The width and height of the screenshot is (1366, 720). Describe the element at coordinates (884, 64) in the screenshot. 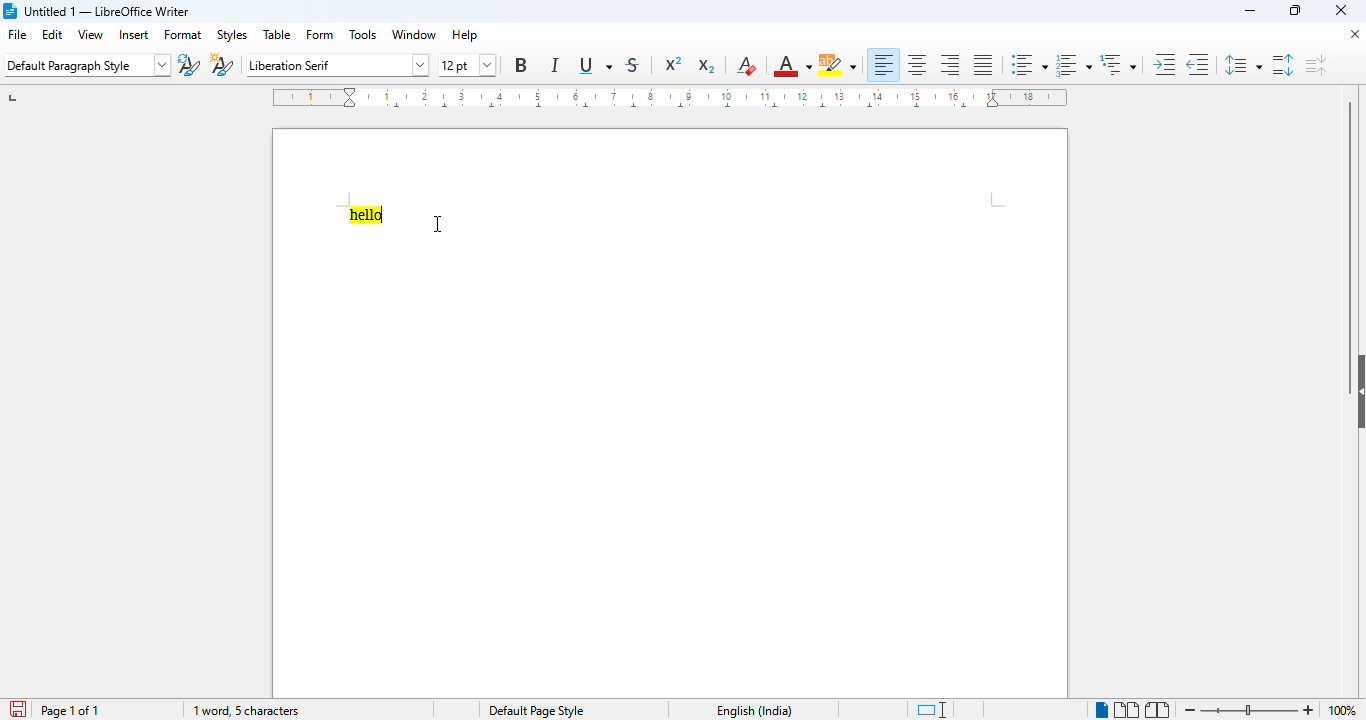

I see `align left` at that location.